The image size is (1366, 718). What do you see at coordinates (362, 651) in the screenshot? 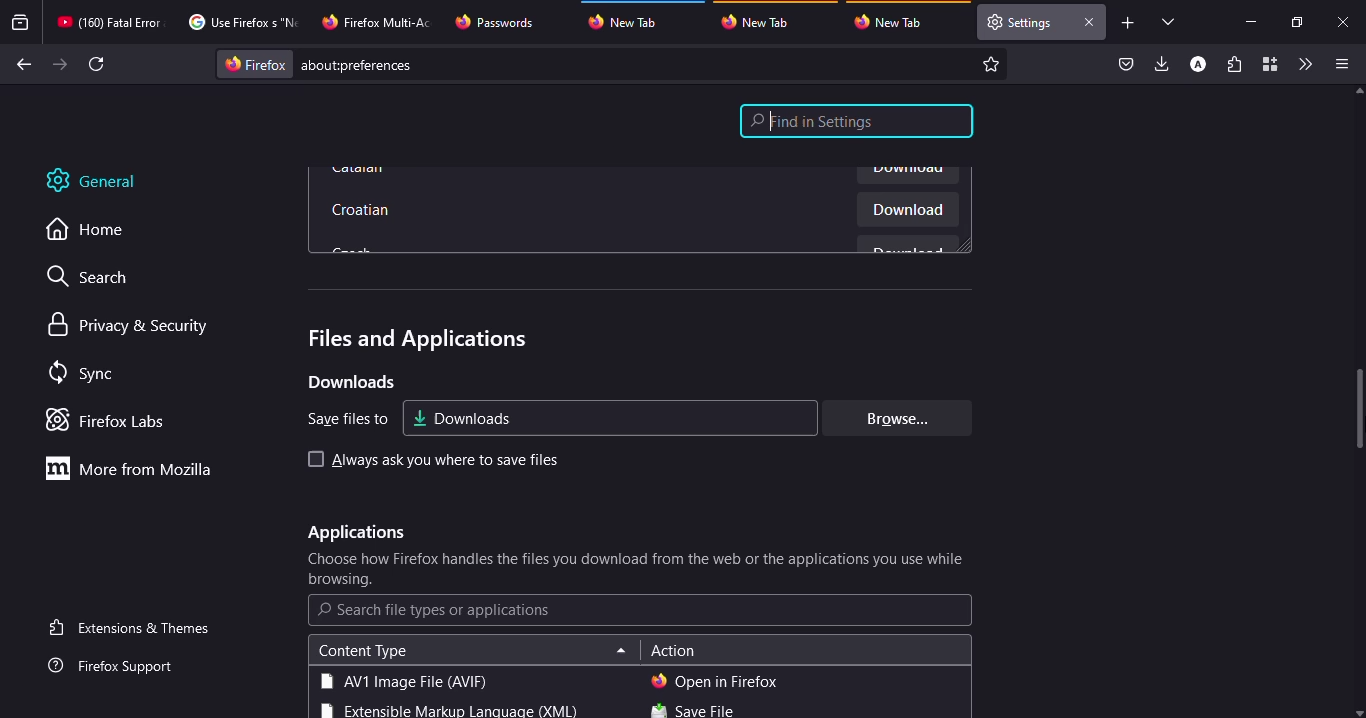
I see `content type` at bounding box center [362, 651].